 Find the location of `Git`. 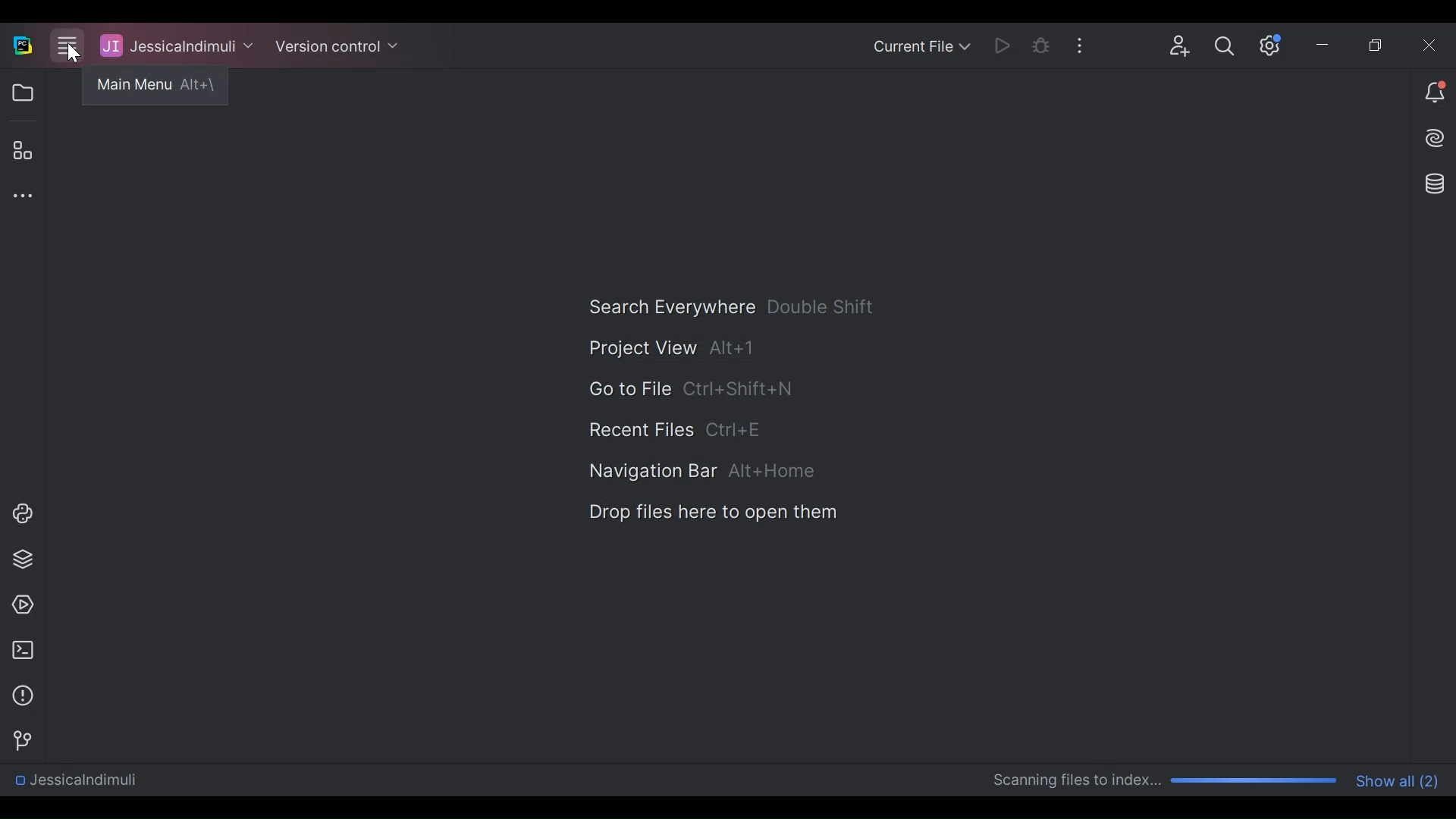

Git is located at coordinates (18, 739).